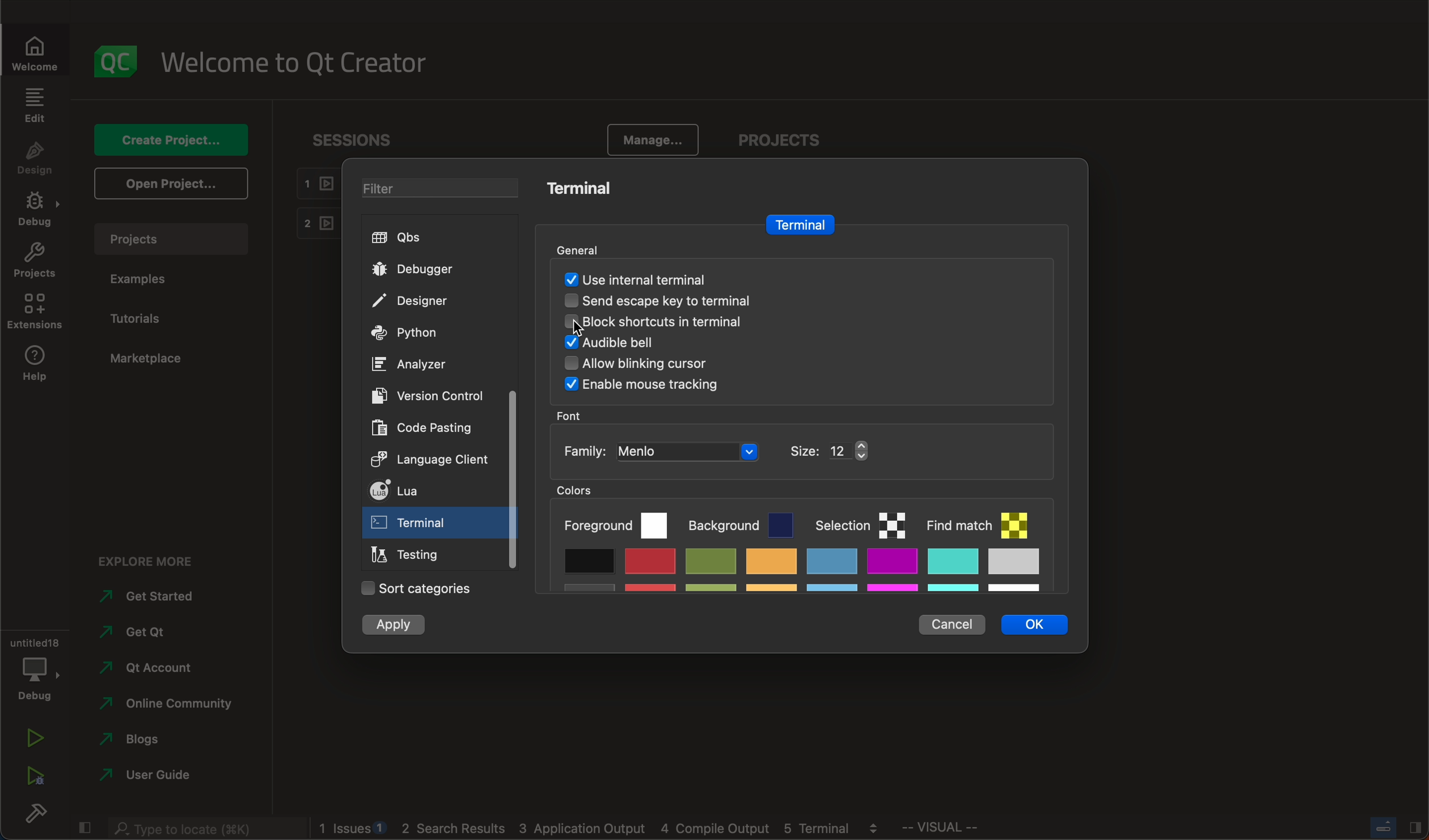 The height and width of the screenshot is (840, 1429). What do you see at coordinates (645, 386) in the screenshot?
I see `` at bounding box center [645, 386].